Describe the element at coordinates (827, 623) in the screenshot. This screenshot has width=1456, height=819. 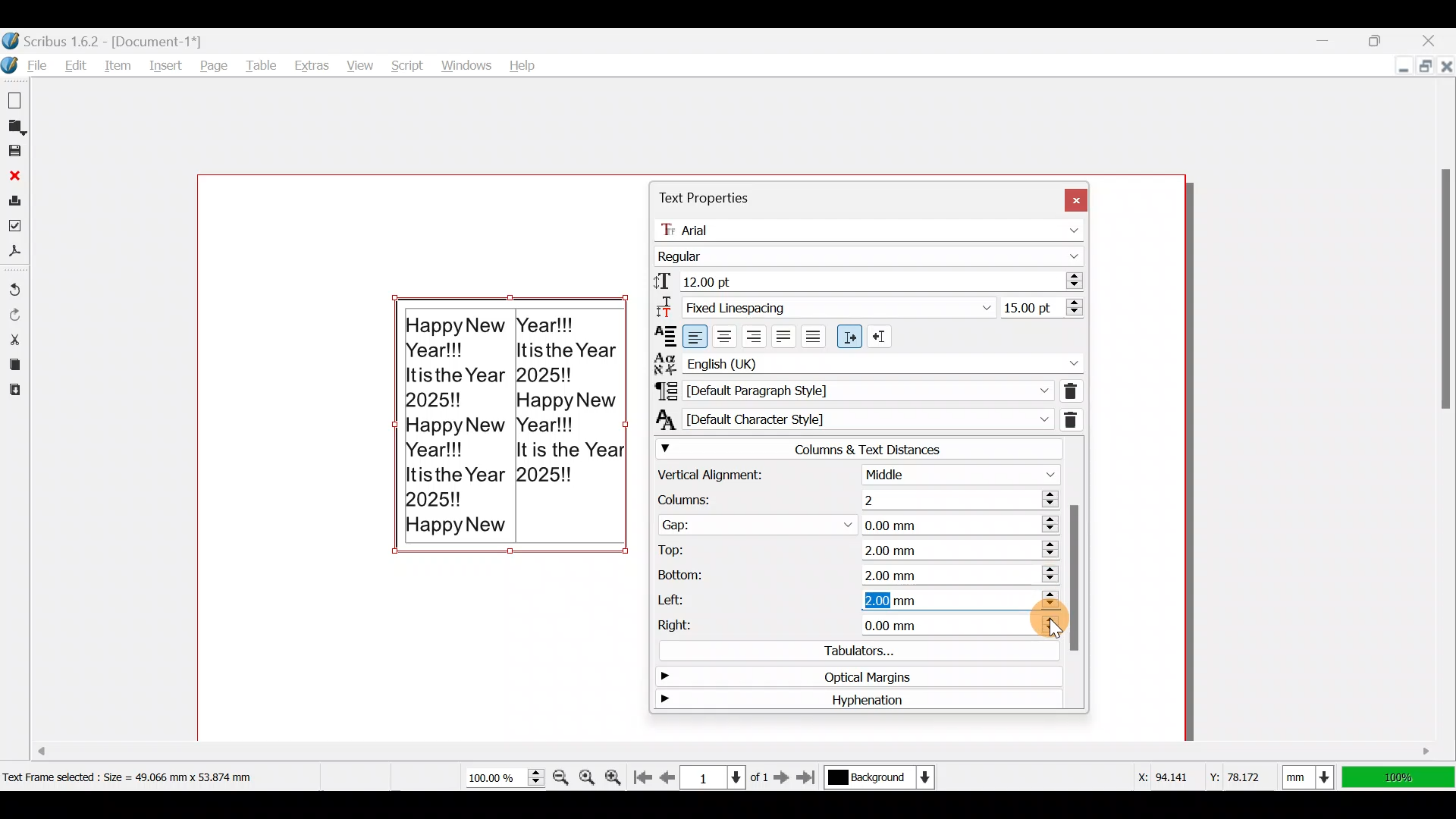
I see `Right` at that location.